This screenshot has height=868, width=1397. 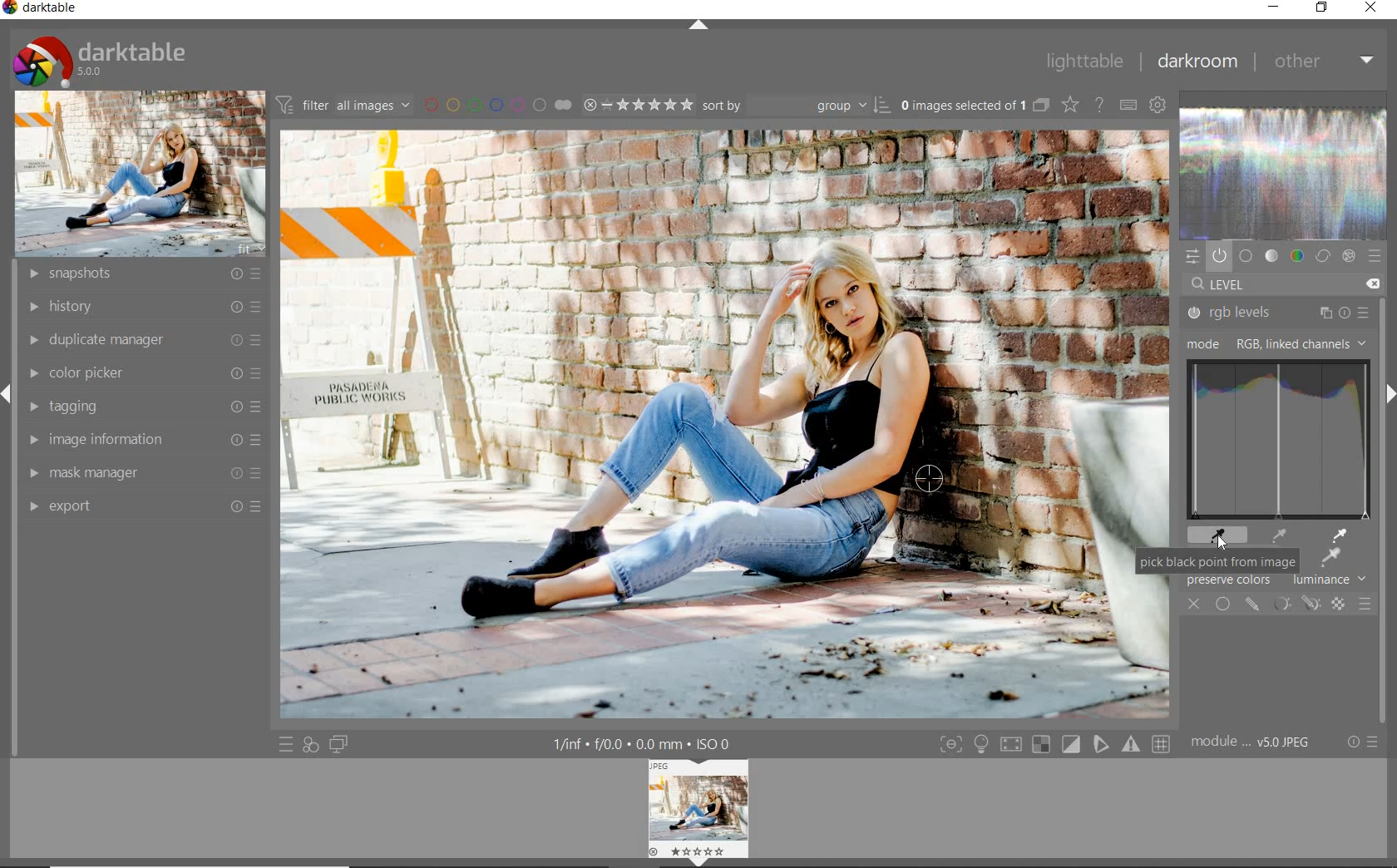 I want to click on effect, so click(x=1350, y=254).